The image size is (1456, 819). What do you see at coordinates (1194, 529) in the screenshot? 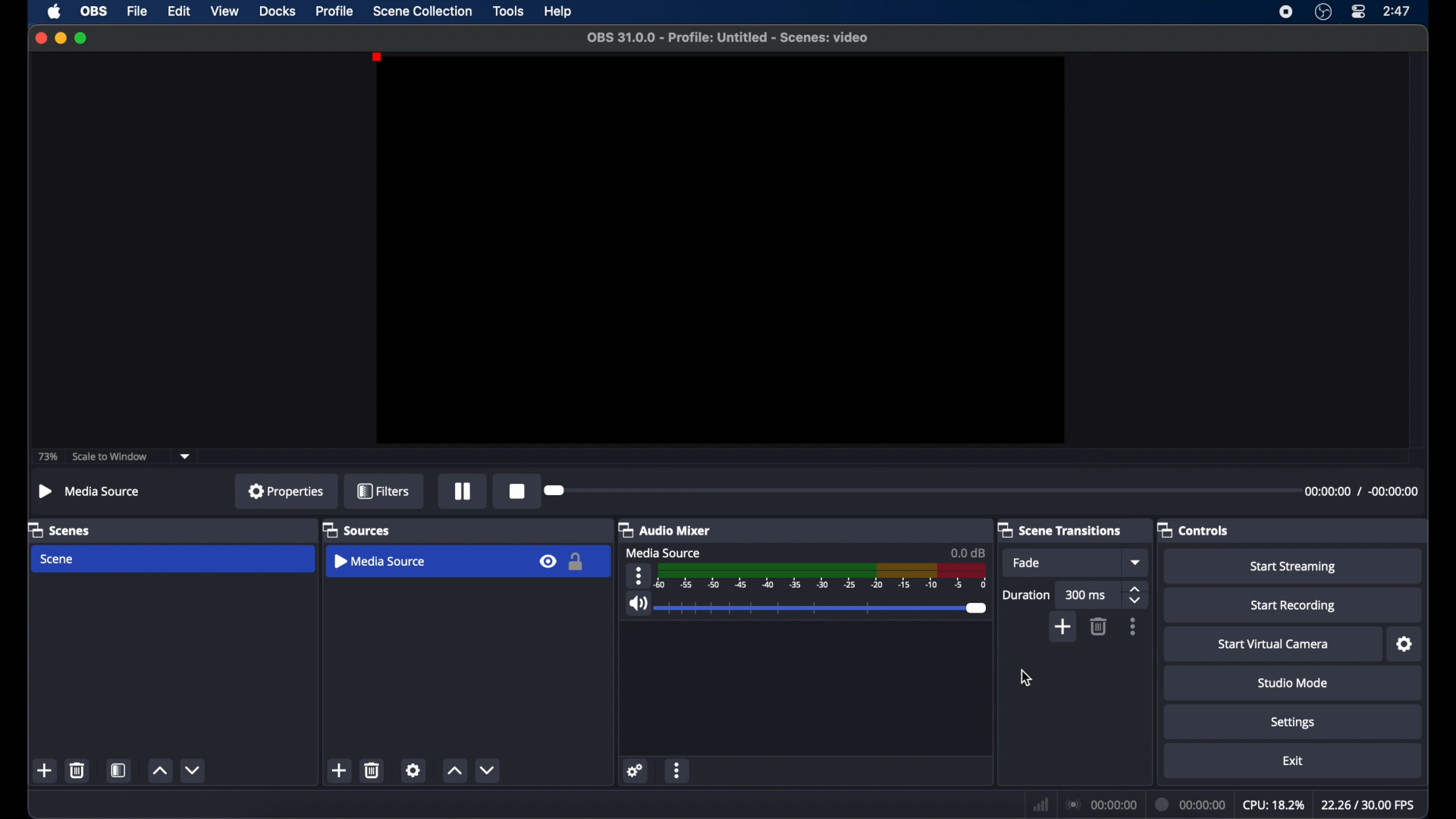
I see `controls` at bounding box center [1194, 529].